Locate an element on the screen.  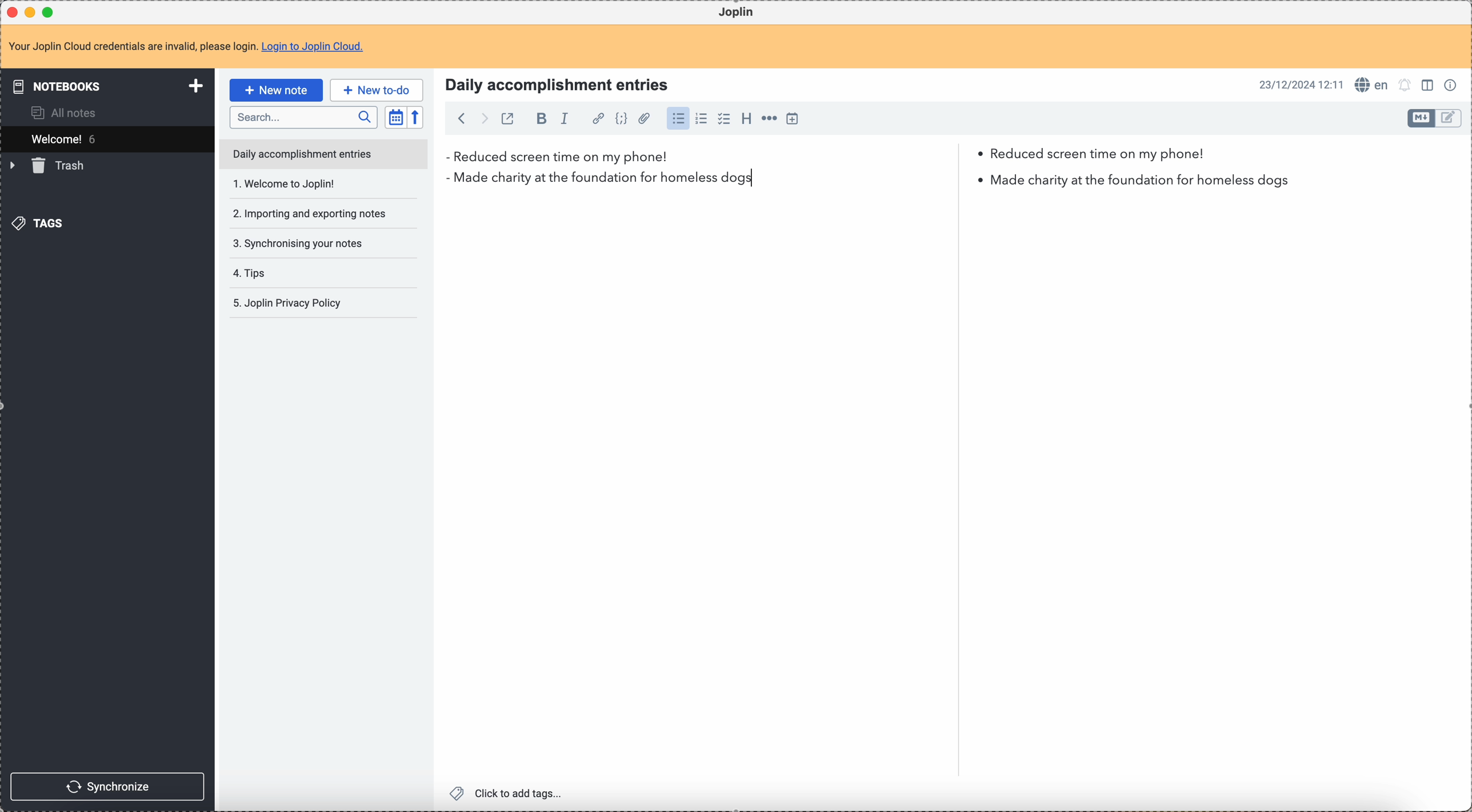
toggle edit layout is located at coordinates (1449, 118).